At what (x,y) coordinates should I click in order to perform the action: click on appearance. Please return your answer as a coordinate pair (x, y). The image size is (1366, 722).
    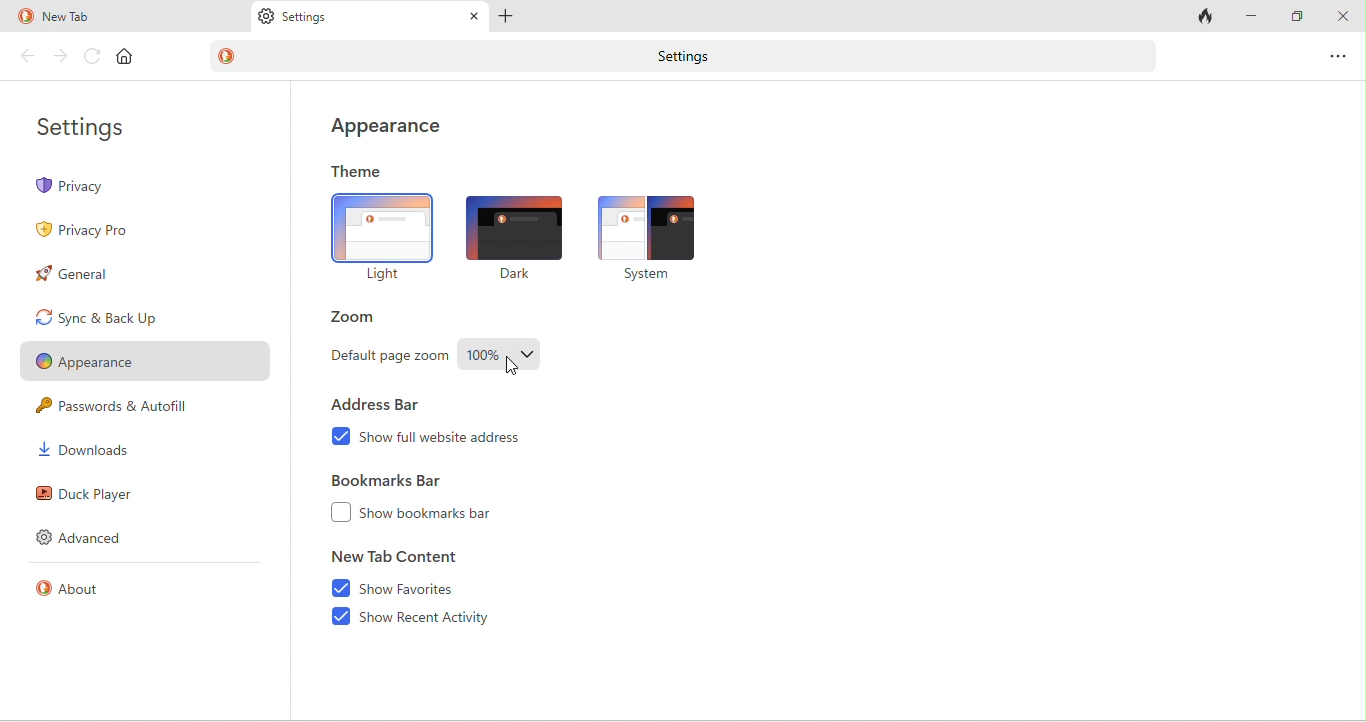
    Looking at the image, I should click on (395, 126).